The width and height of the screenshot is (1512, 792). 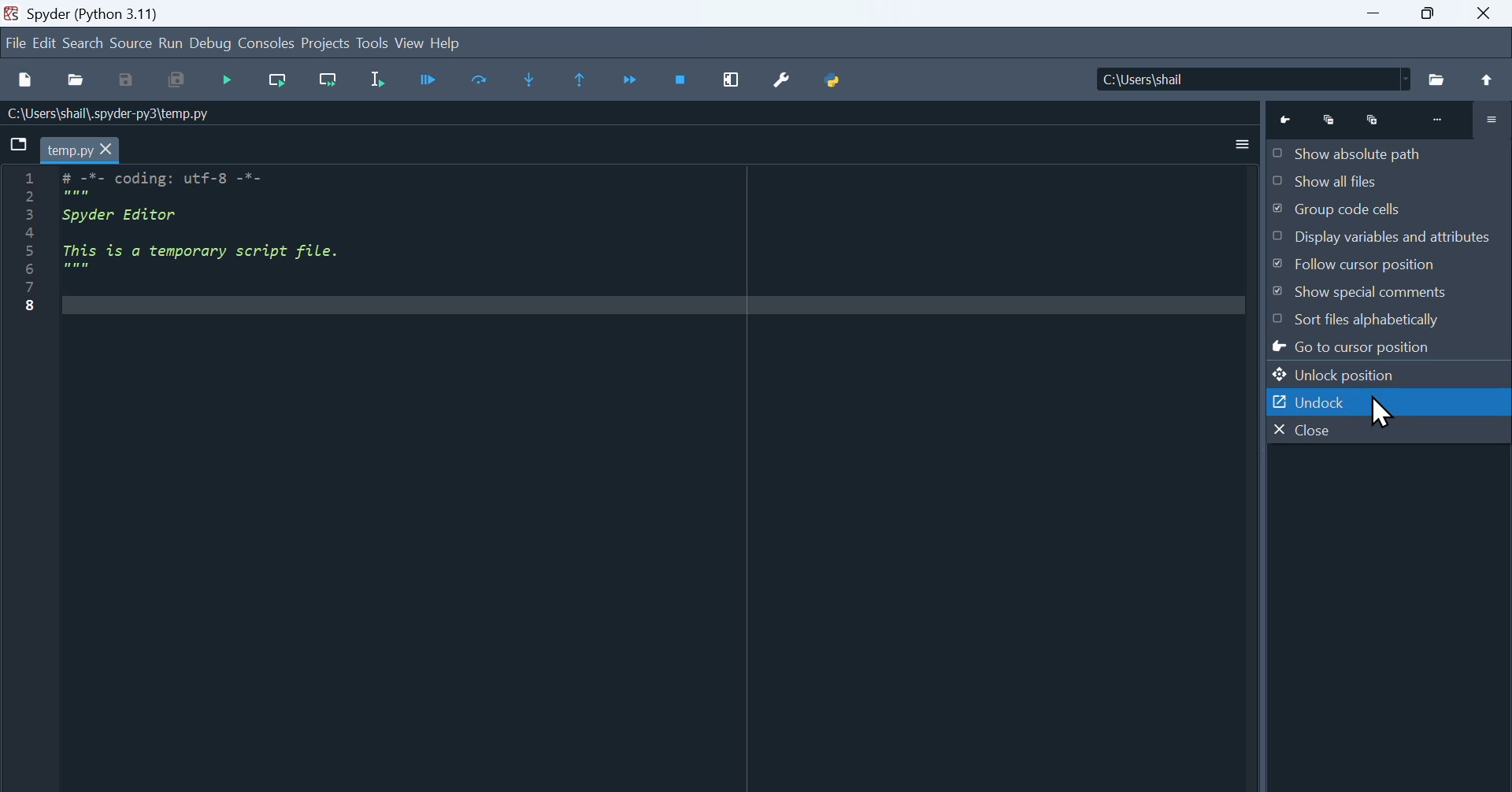 What do you see at coordinates (171, 42) in the screenshot?
I see `Run` at bounding box center [171, 42].